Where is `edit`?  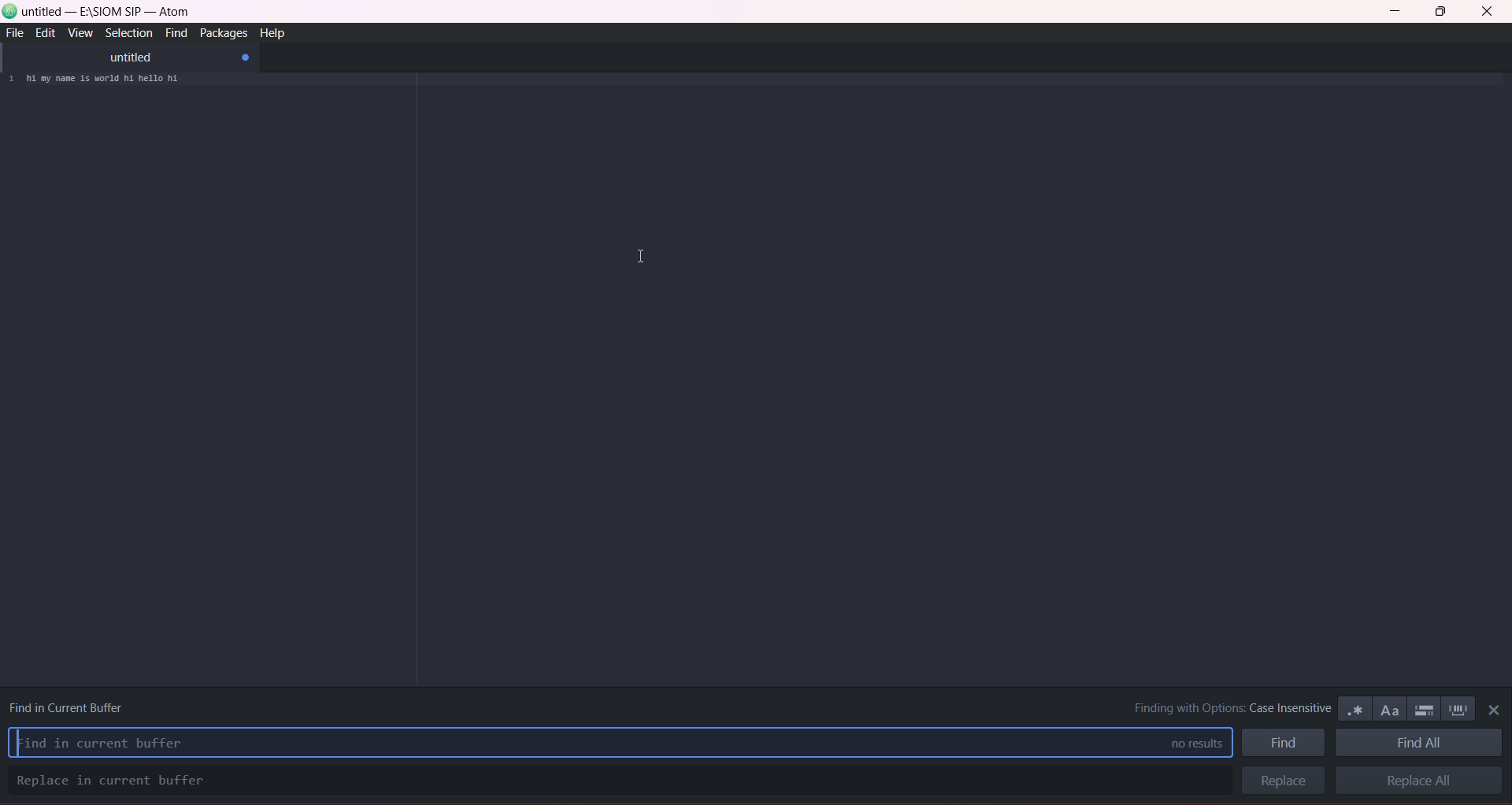
edit is located at coordinates (44, 33).